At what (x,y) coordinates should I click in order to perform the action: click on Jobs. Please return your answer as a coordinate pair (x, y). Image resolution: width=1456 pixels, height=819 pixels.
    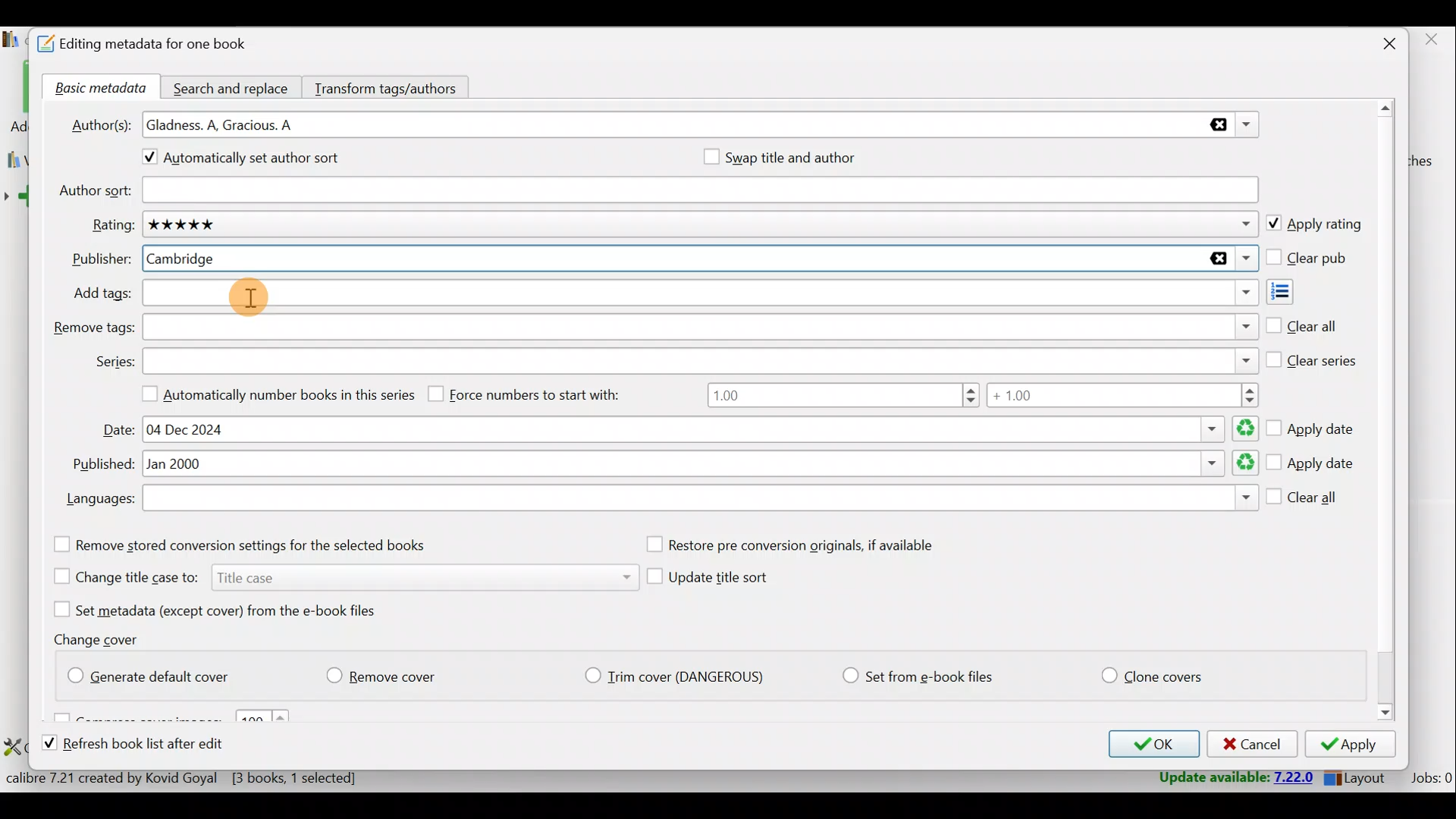
    Looking at the image, I should click on (1430, 777).